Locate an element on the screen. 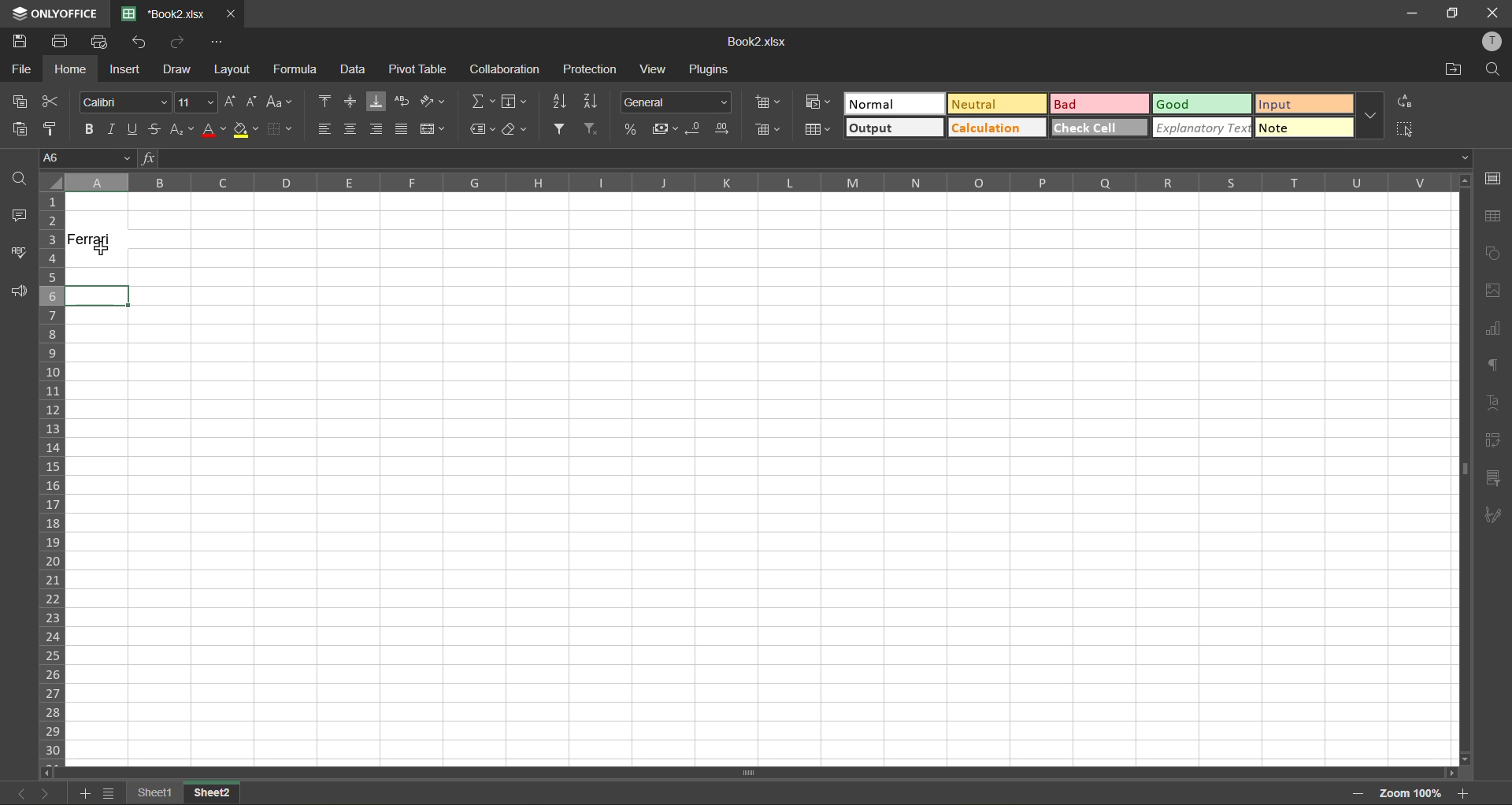 The image size is (1512, 805). normal is located at coordinates (893, 103).